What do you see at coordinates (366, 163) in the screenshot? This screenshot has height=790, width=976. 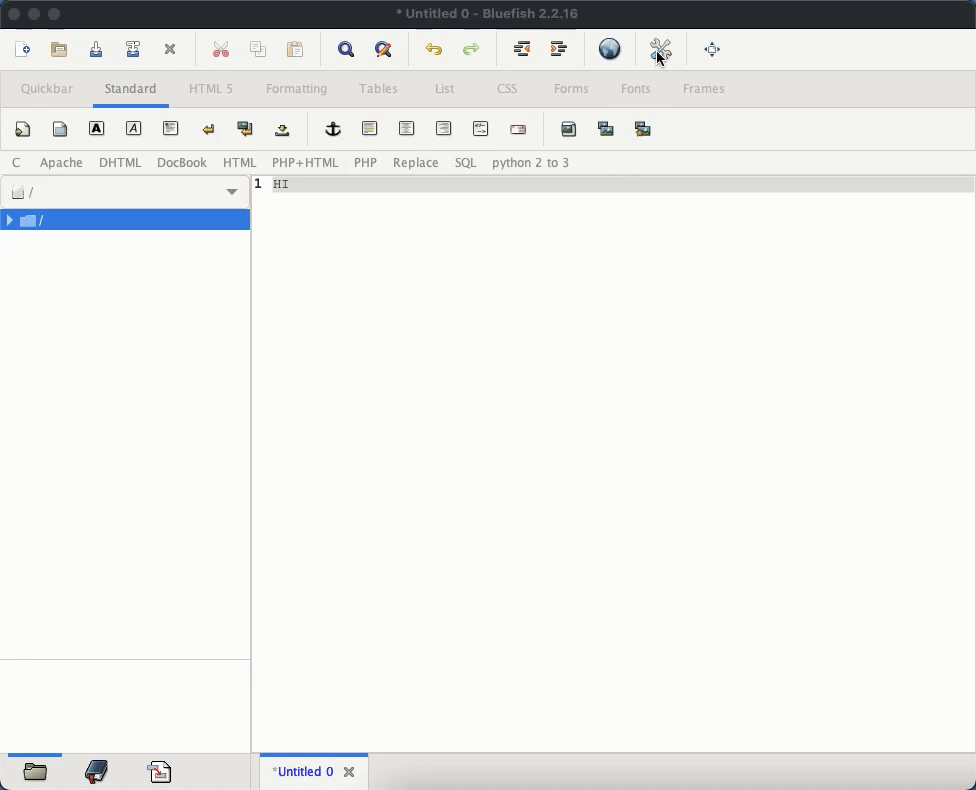 I see `php` at bounding box center [366, 163].